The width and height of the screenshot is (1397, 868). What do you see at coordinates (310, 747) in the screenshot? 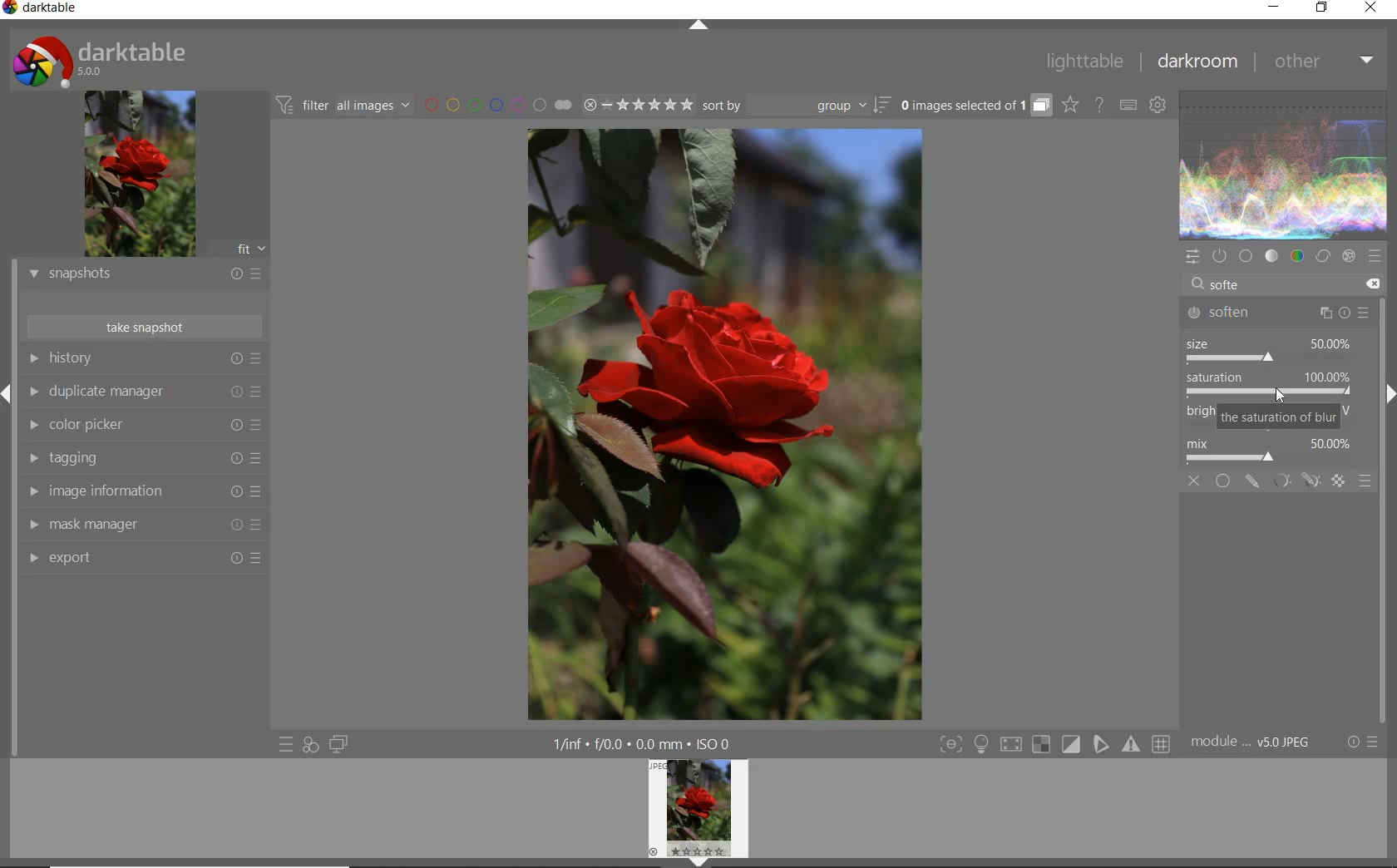
I see `quick access for applying any of your styles` at bounding box center [310, 747].